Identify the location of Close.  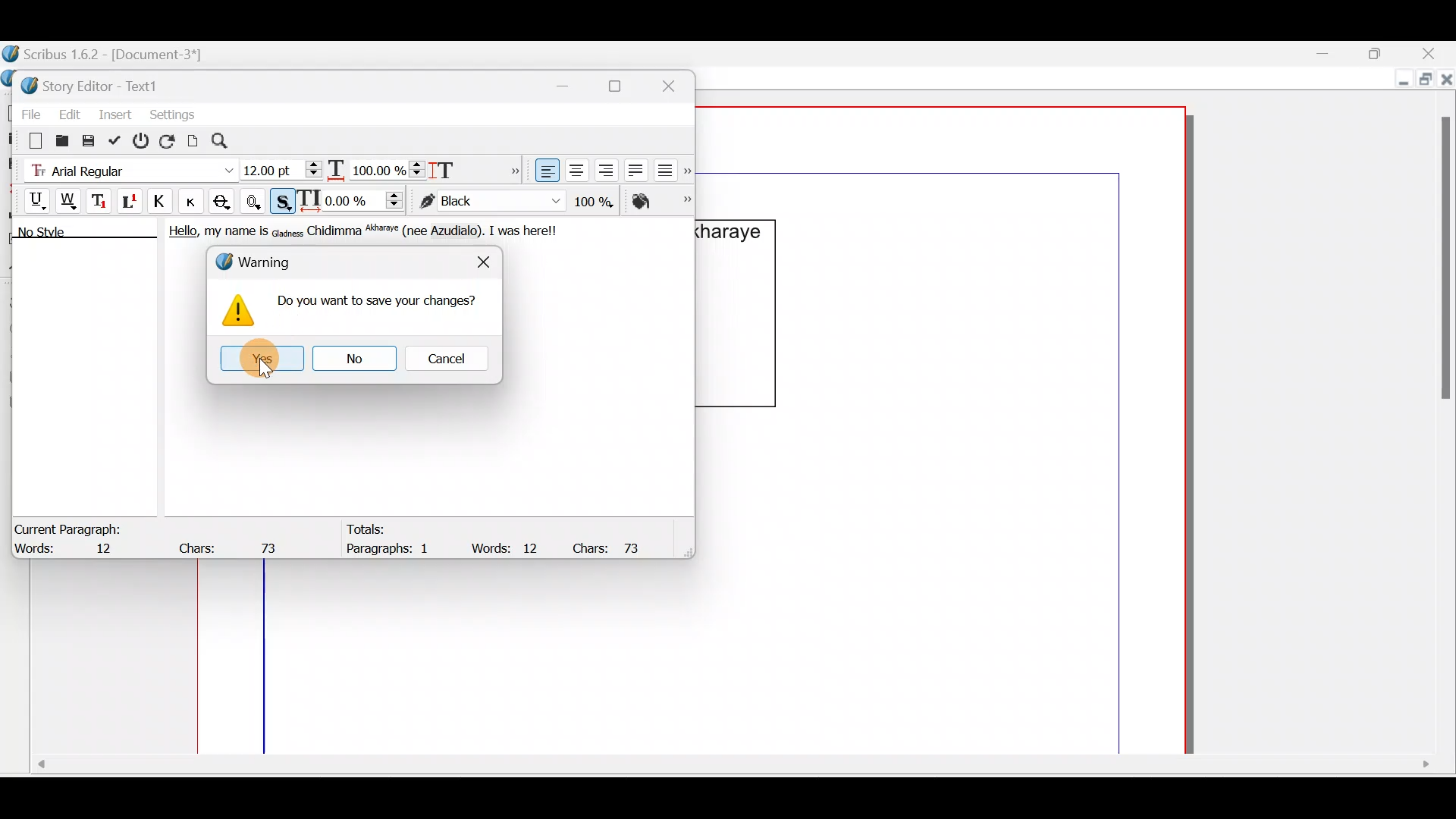
(483, 257).